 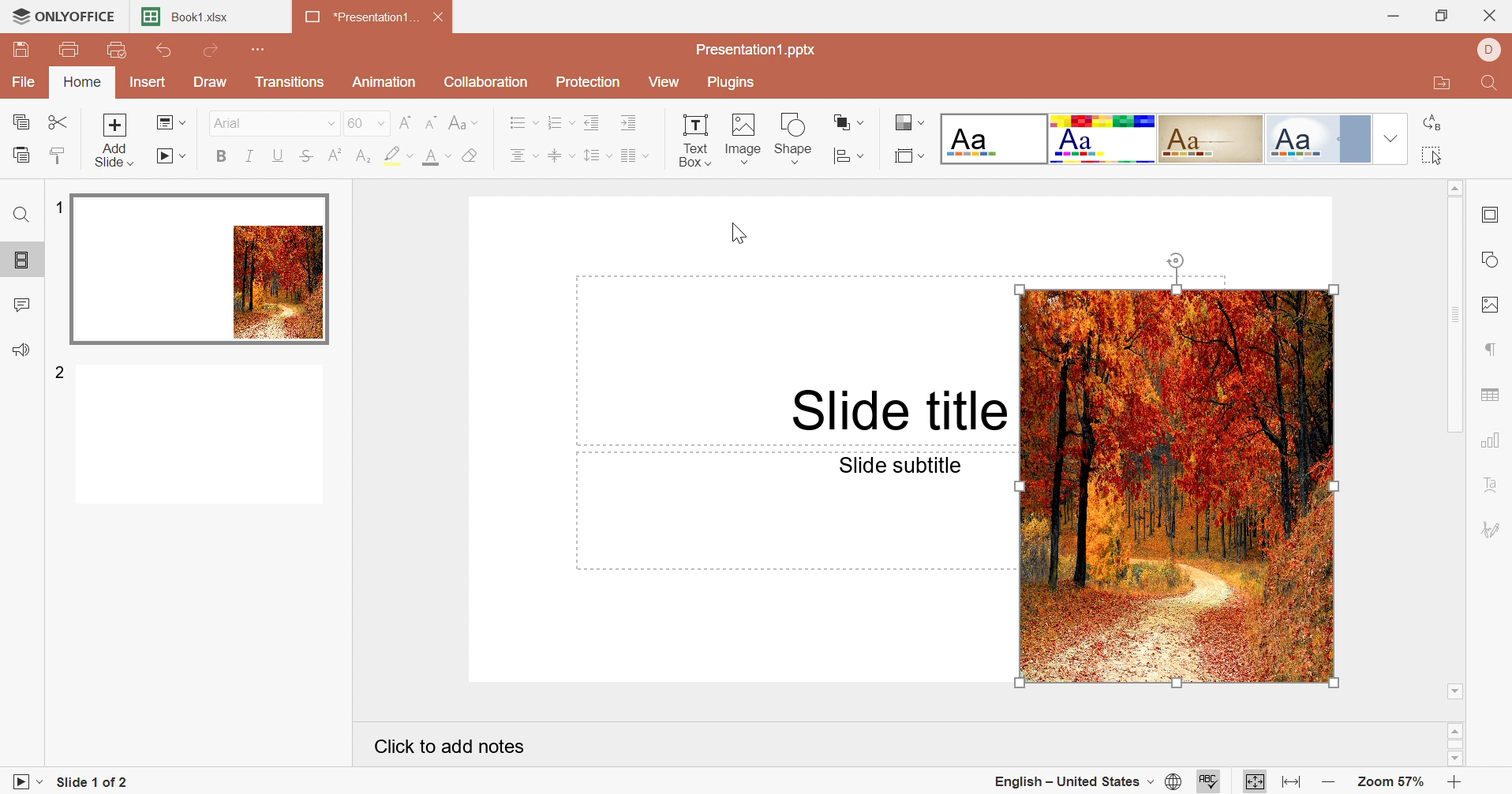 What do you see at coordinates (147, 84) in the screenshot?
I see `Insert` at bounding box center [147, 84].